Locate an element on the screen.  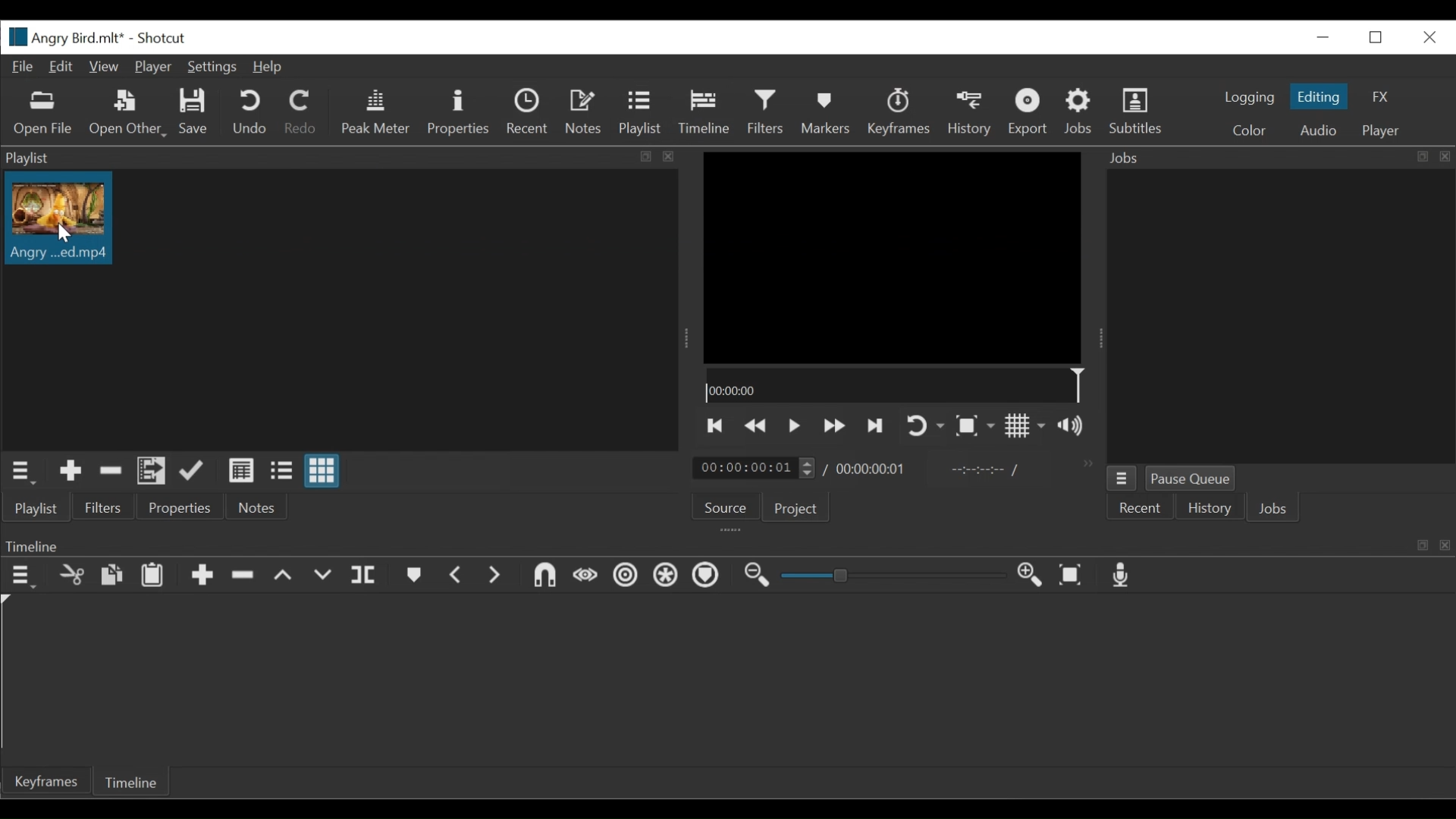
Next Marker is located at coordinates (495, 576).